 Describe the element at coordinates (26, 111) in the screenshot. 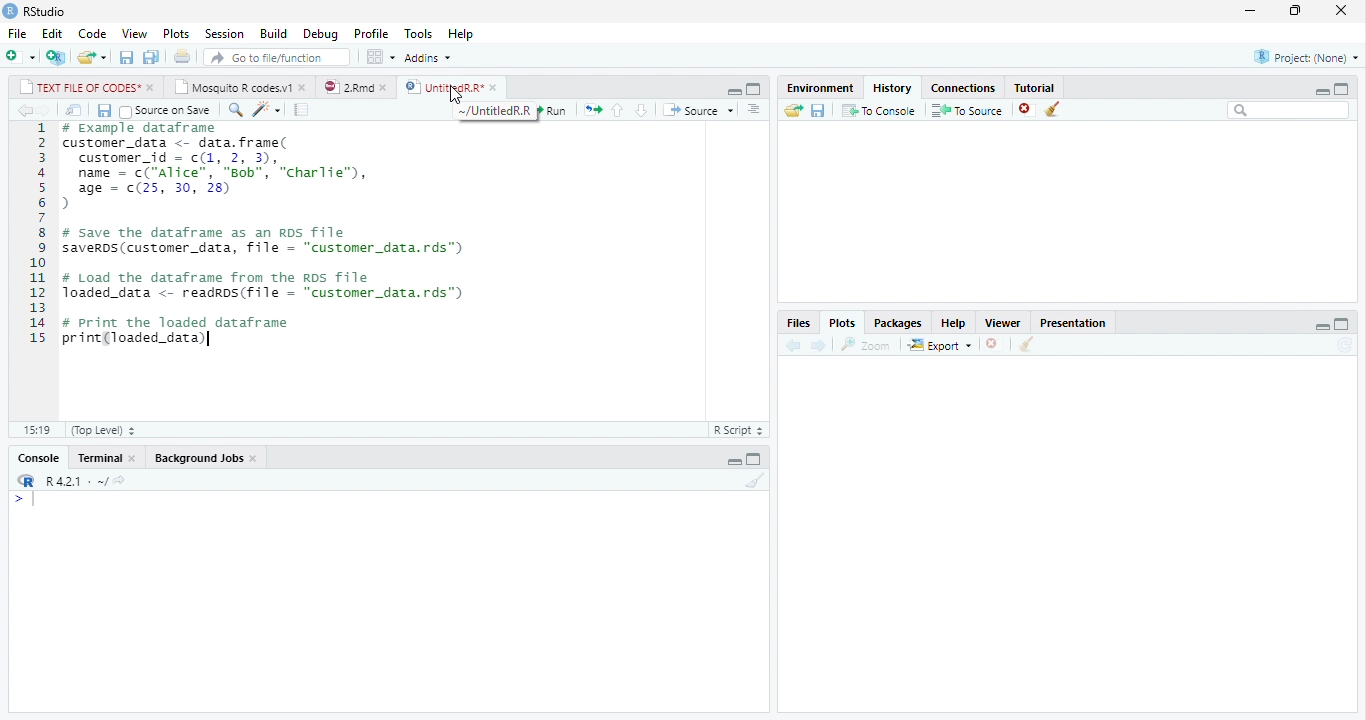

I see `back` at that location.